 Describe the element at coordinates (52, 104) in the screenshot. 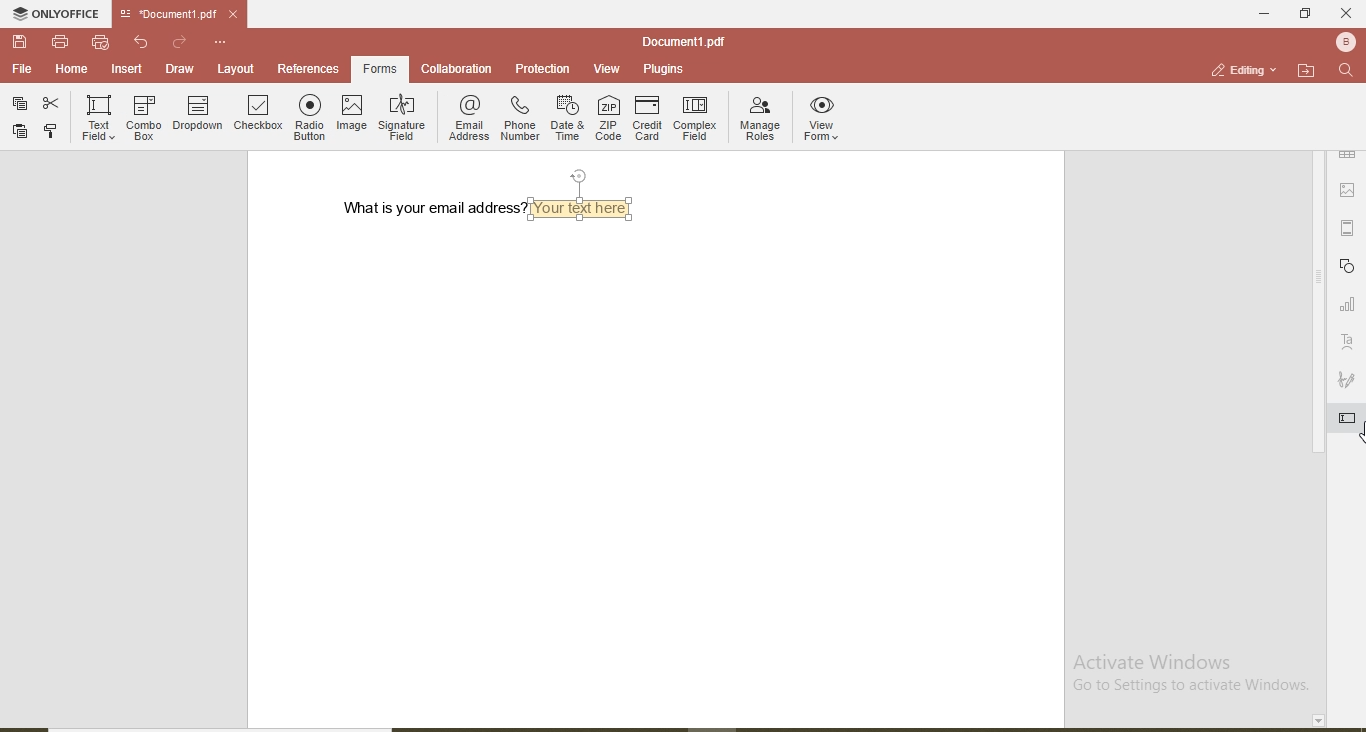

I see `cut` at that location.